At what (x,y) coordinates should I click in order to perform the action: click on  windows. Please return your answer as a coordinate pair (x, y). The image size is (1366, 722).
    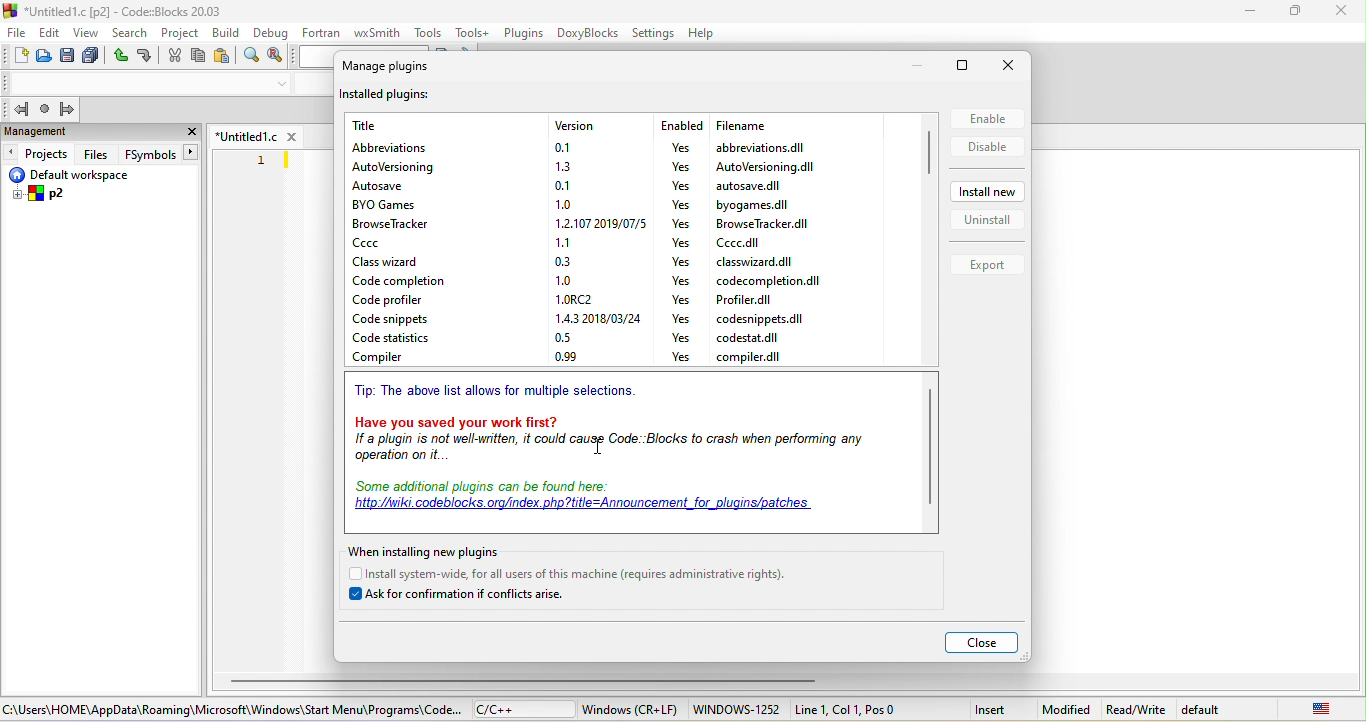
    Looking at the image, I should click on (630, 711).